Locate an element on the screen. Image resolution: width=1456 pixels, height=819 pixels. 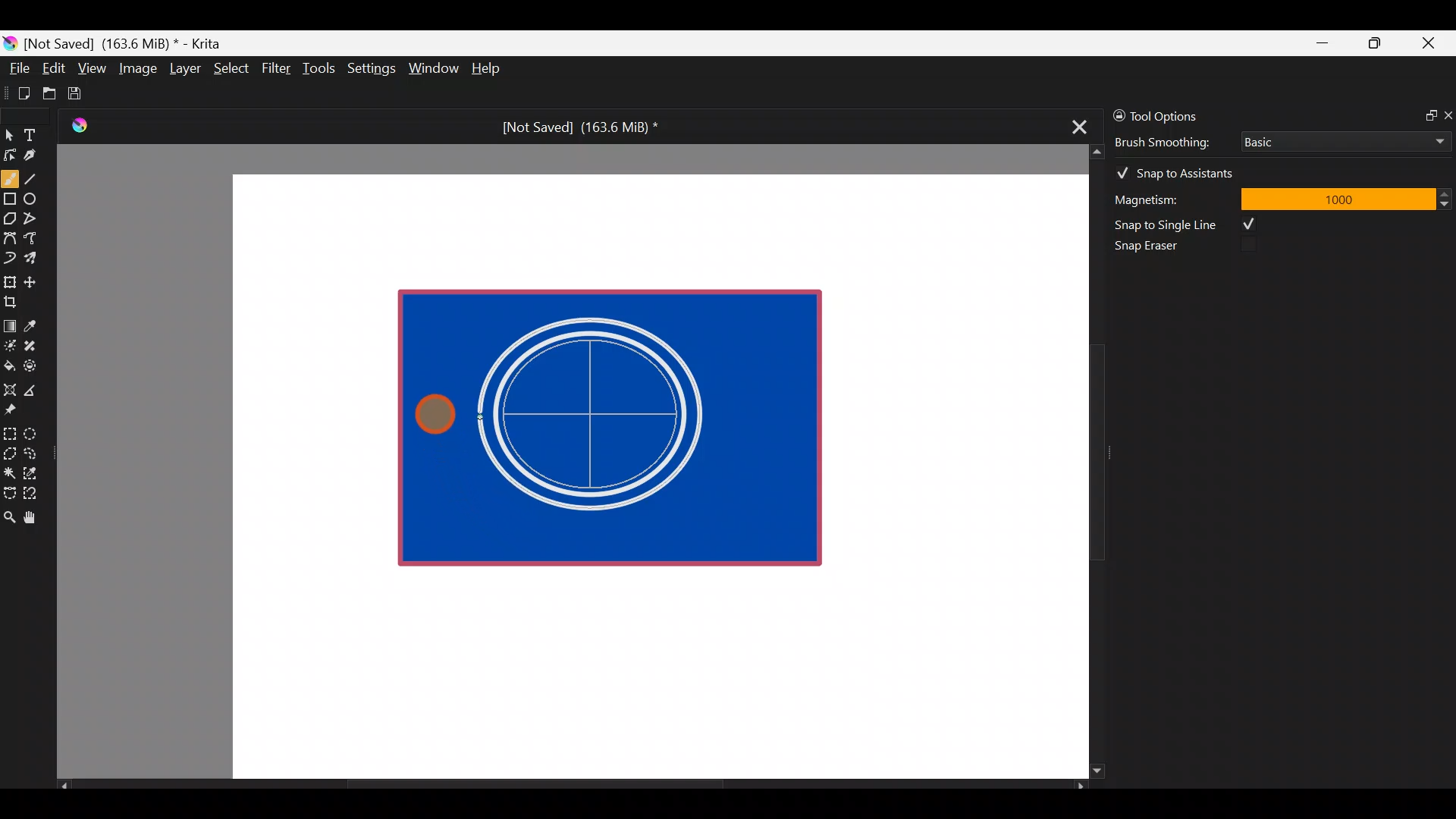
Edit is located at coordinates (53, 71).